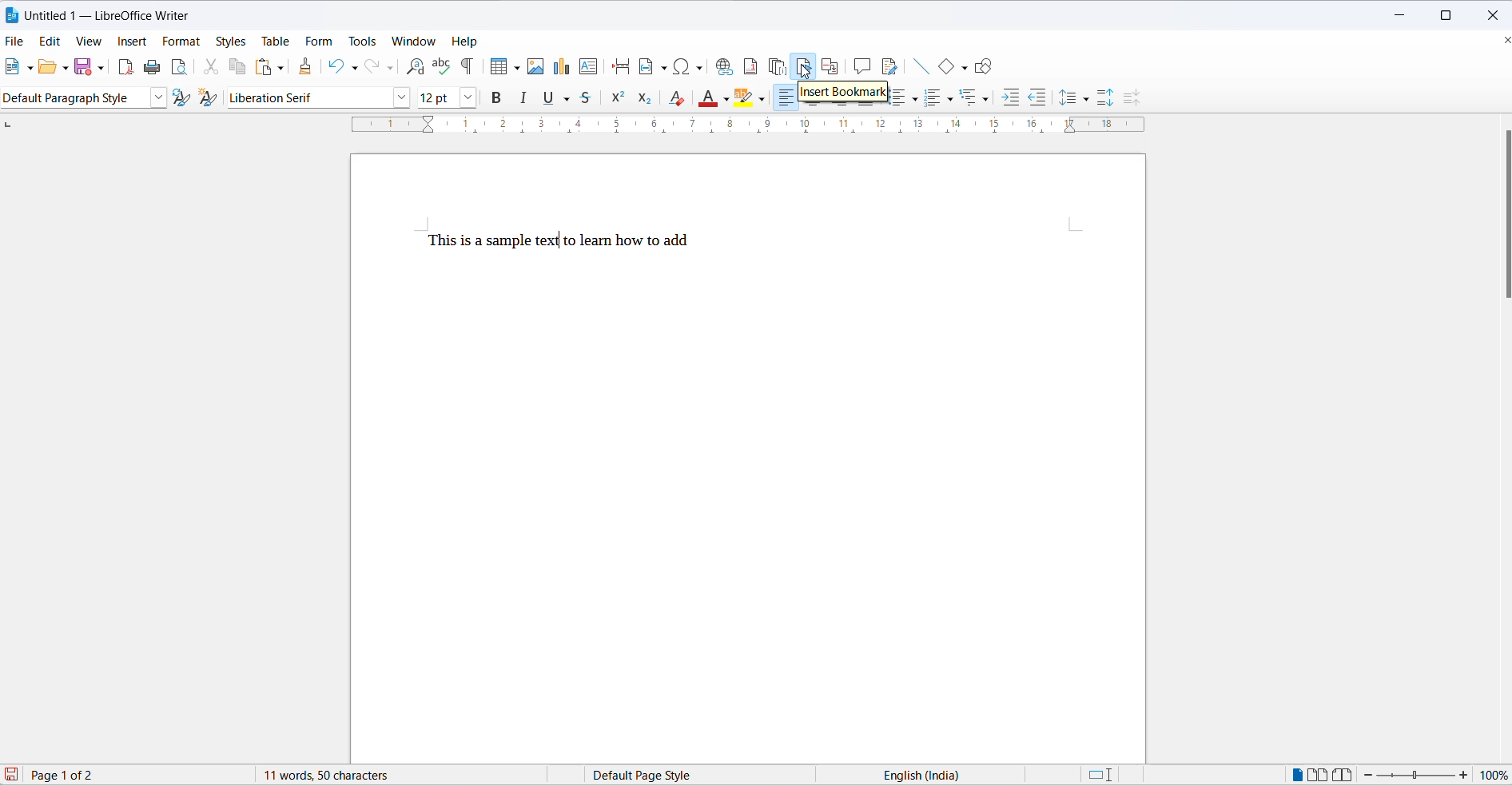  What do you see at coordinates (1035, 94) in the screenshot?
I see `decrease indent` at bounding box center [1035, 94].